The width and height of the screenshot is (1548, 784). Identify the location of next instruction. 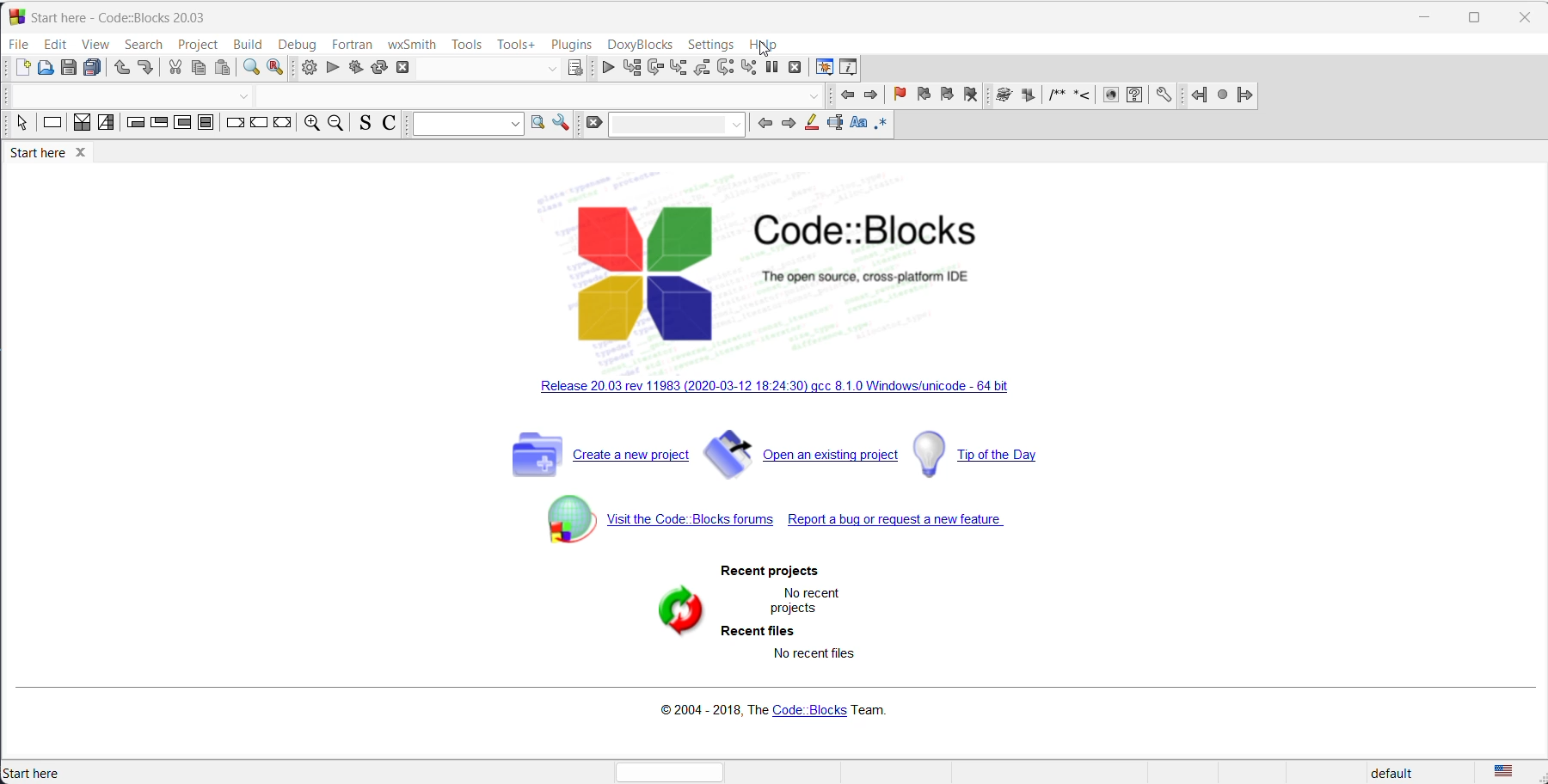
(724, 70).